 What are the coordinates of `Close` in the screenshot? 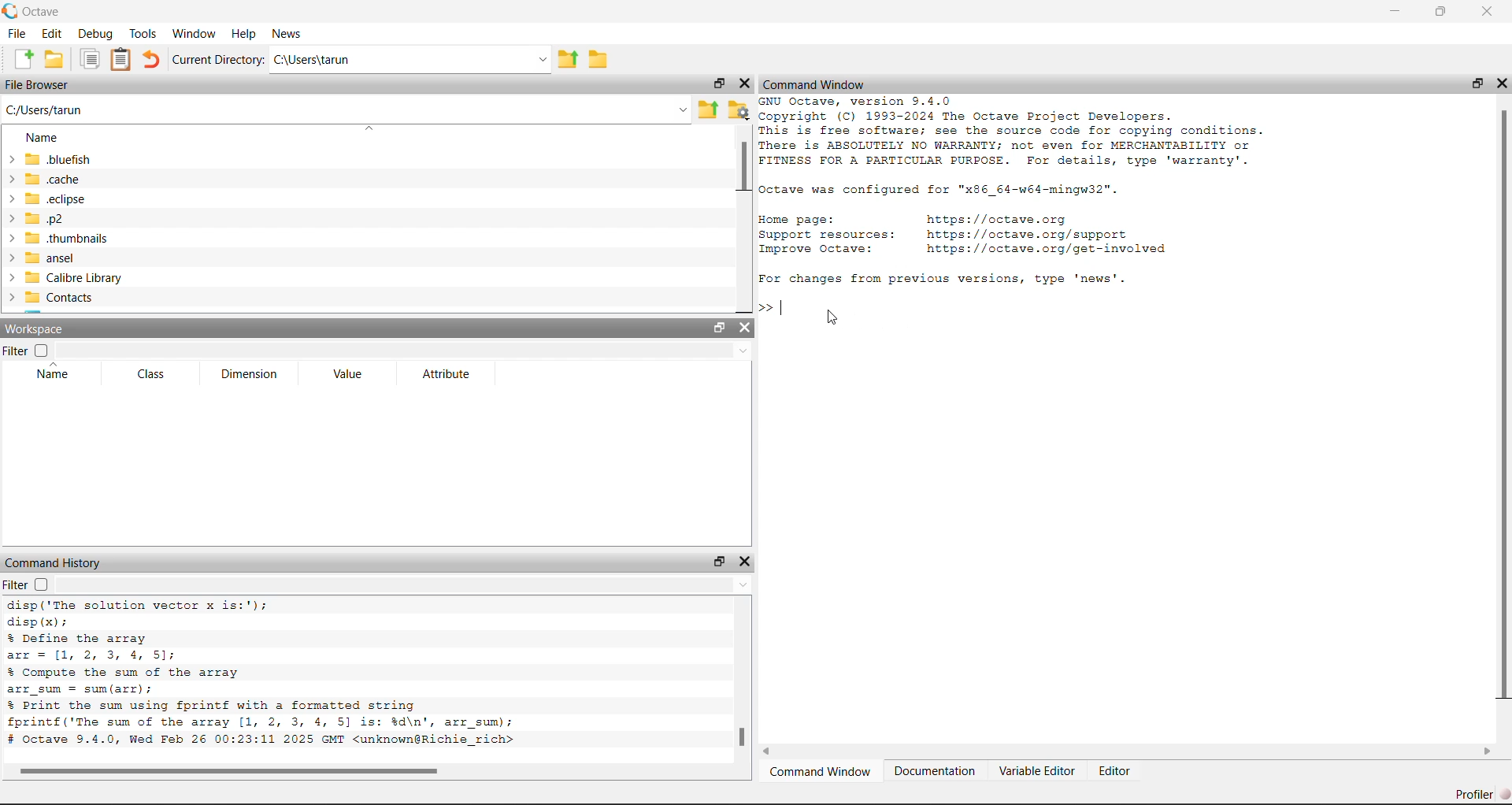 It's located at (1488, 12).